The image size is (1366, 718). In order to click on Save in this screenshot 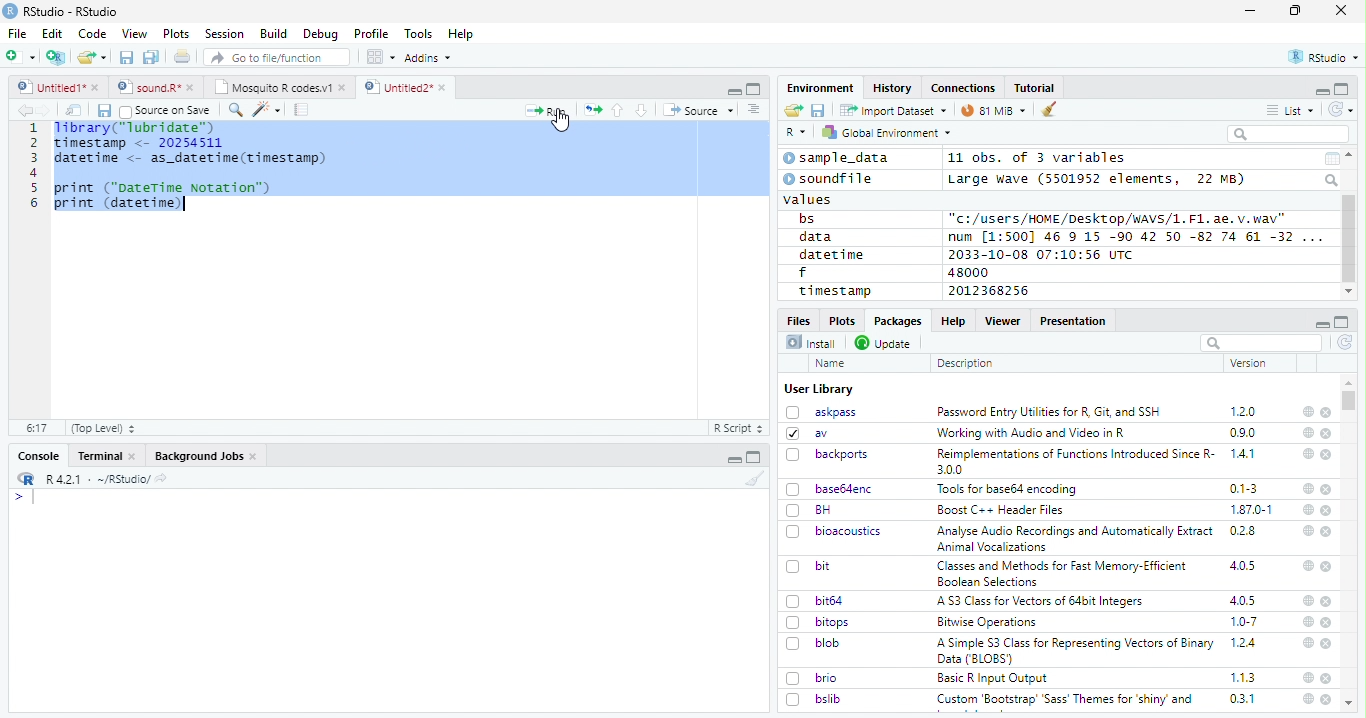, I will do `click(819, 111)`.